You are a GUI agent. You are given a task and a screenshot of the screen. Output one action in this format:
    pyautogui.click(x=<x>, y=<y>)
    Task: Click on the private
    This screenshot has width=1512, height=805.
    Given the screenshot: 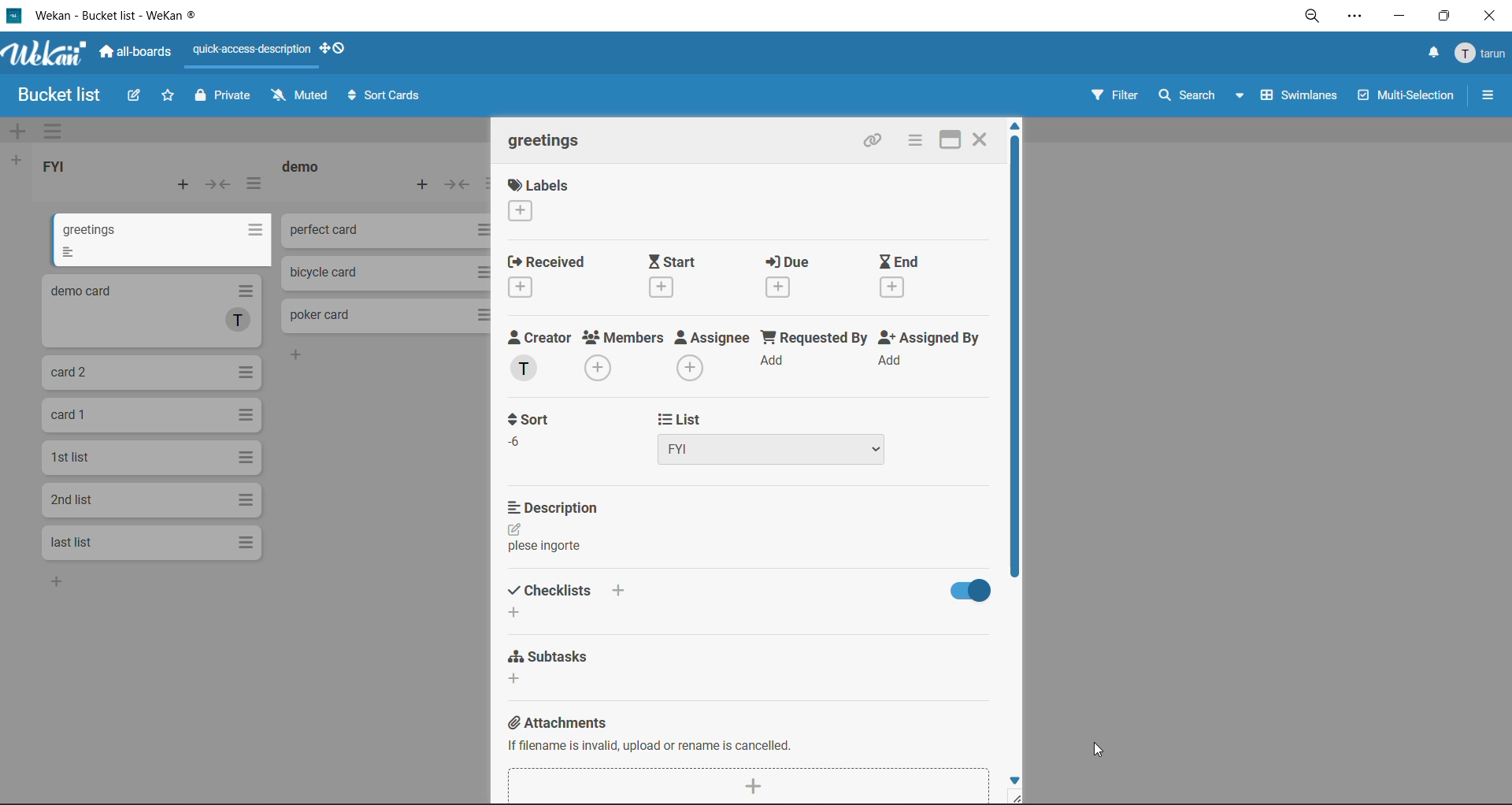 What is the action you would take?
    pyautogui.click(x=223, y=98)
    